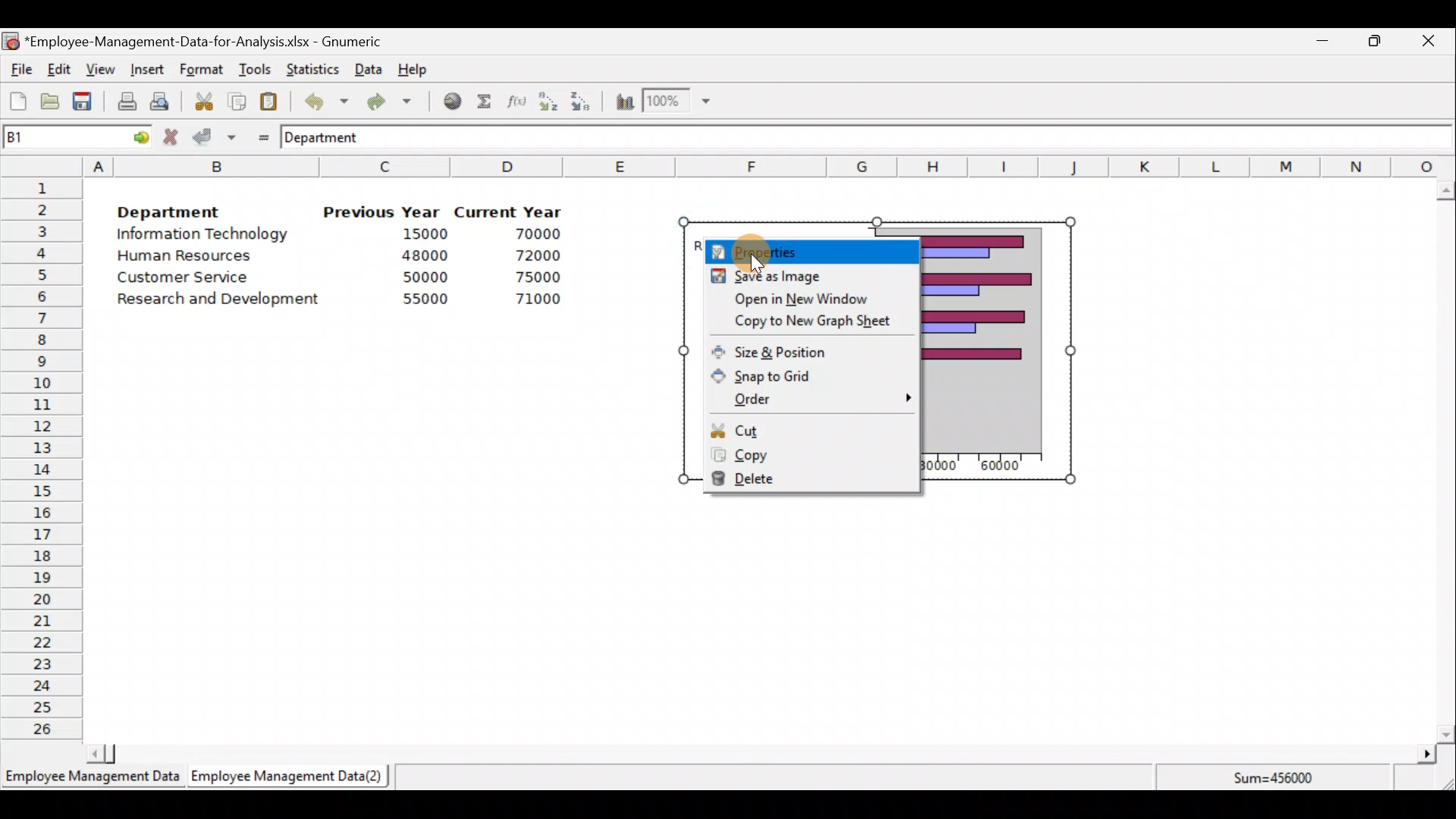 Image resolution: width=1456 pixels, height=819 pixels. What do you see at coordinates (424, 256) in the screenshot?
I see `48000` at bounding box center [424, 256].